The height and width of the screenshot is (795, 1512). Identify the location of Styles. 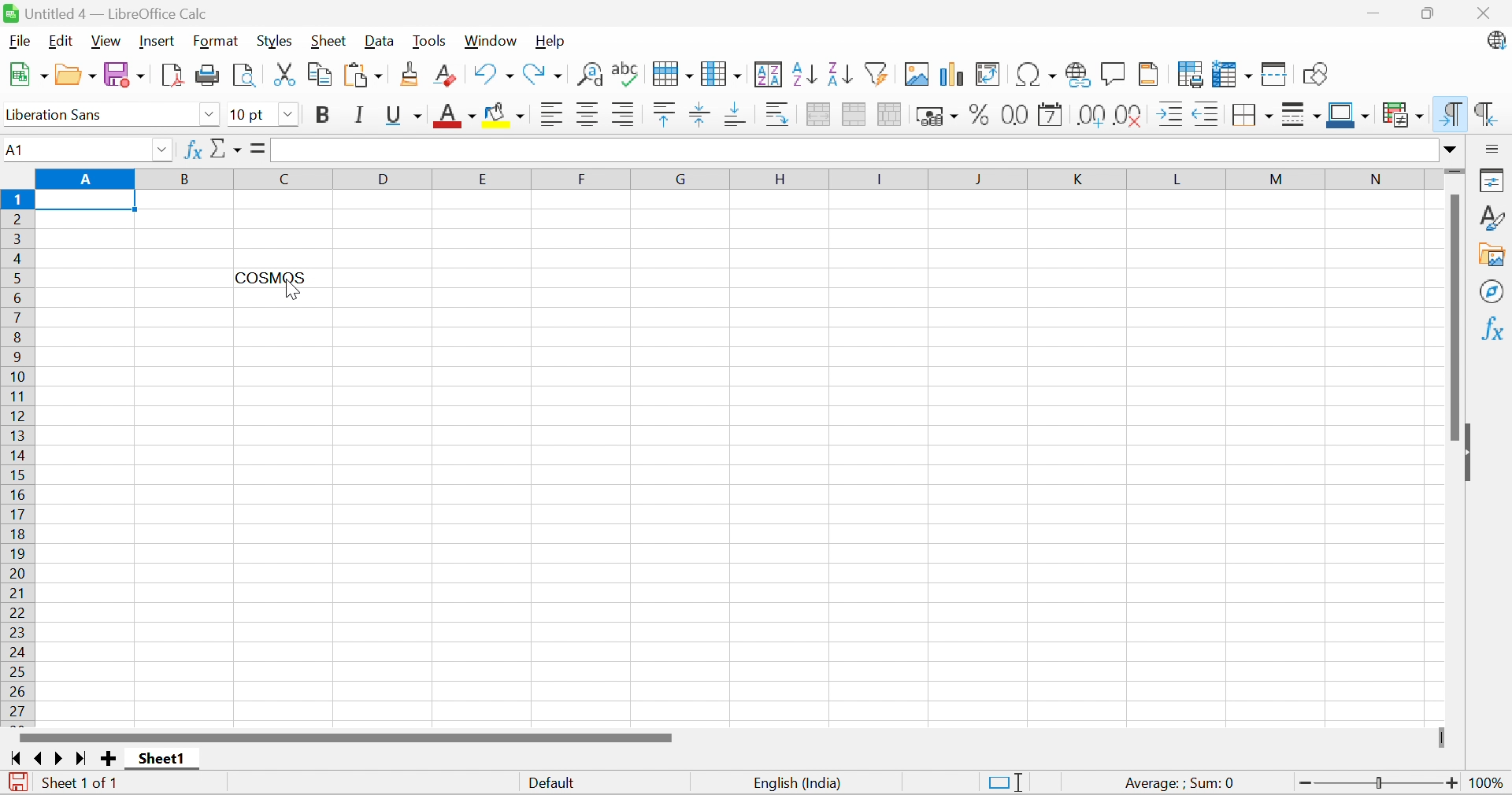
(1494, 218).